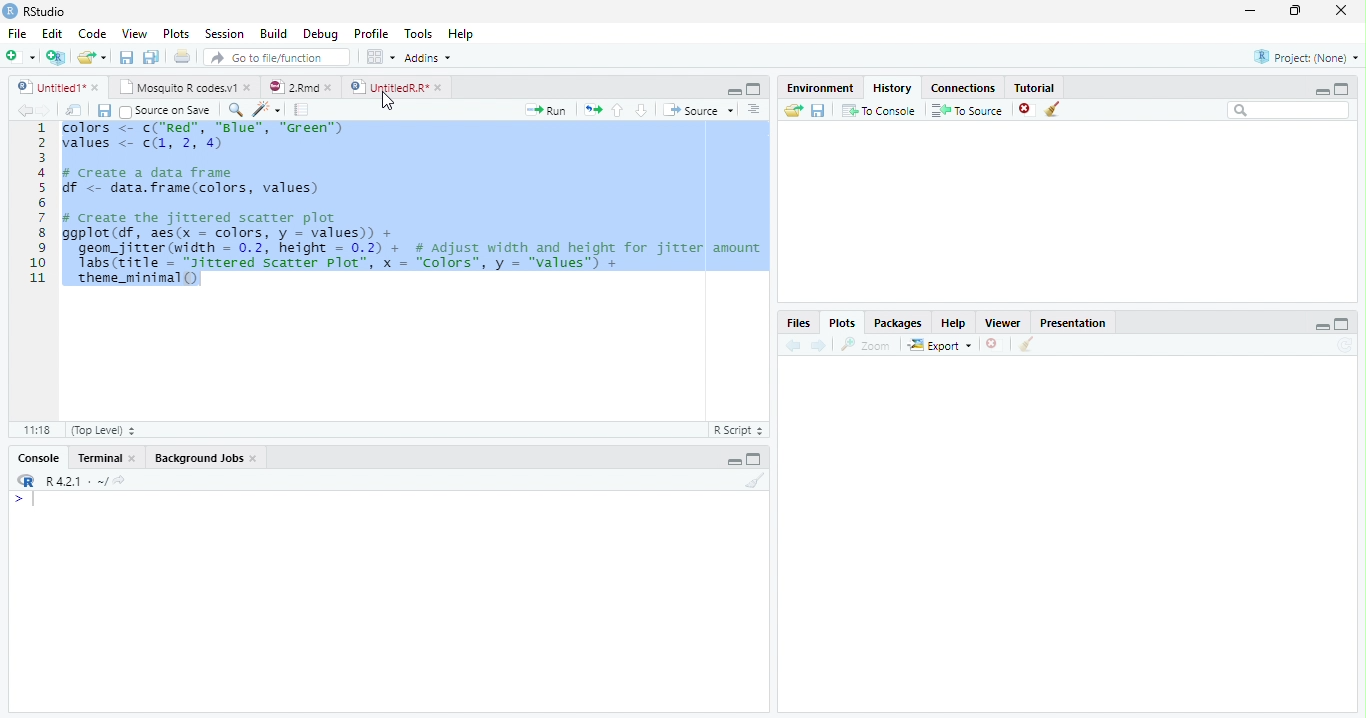 The width and height of the screenshot is (1366, 718). Describe the element at coordinates (254, 458) in the screenshot. I see `close` at that location.